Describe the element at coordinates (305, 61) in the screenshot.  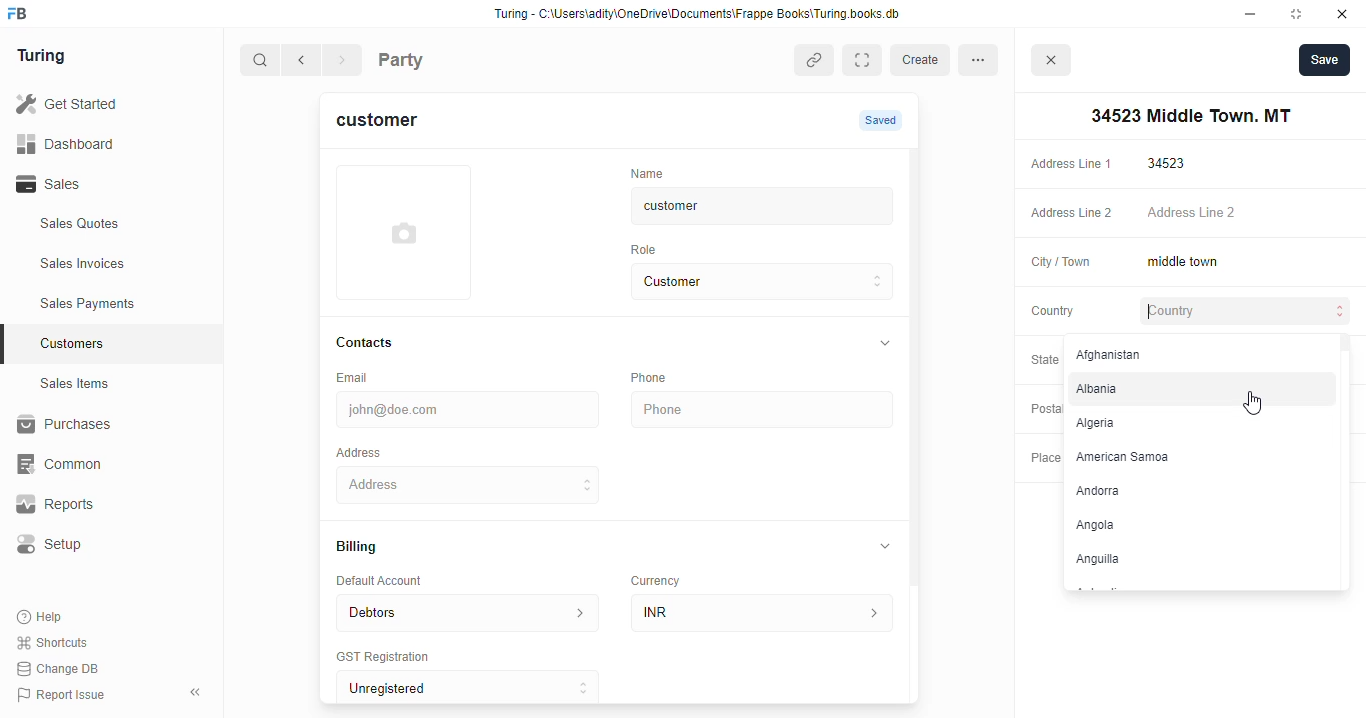
I see `go back` at that location.